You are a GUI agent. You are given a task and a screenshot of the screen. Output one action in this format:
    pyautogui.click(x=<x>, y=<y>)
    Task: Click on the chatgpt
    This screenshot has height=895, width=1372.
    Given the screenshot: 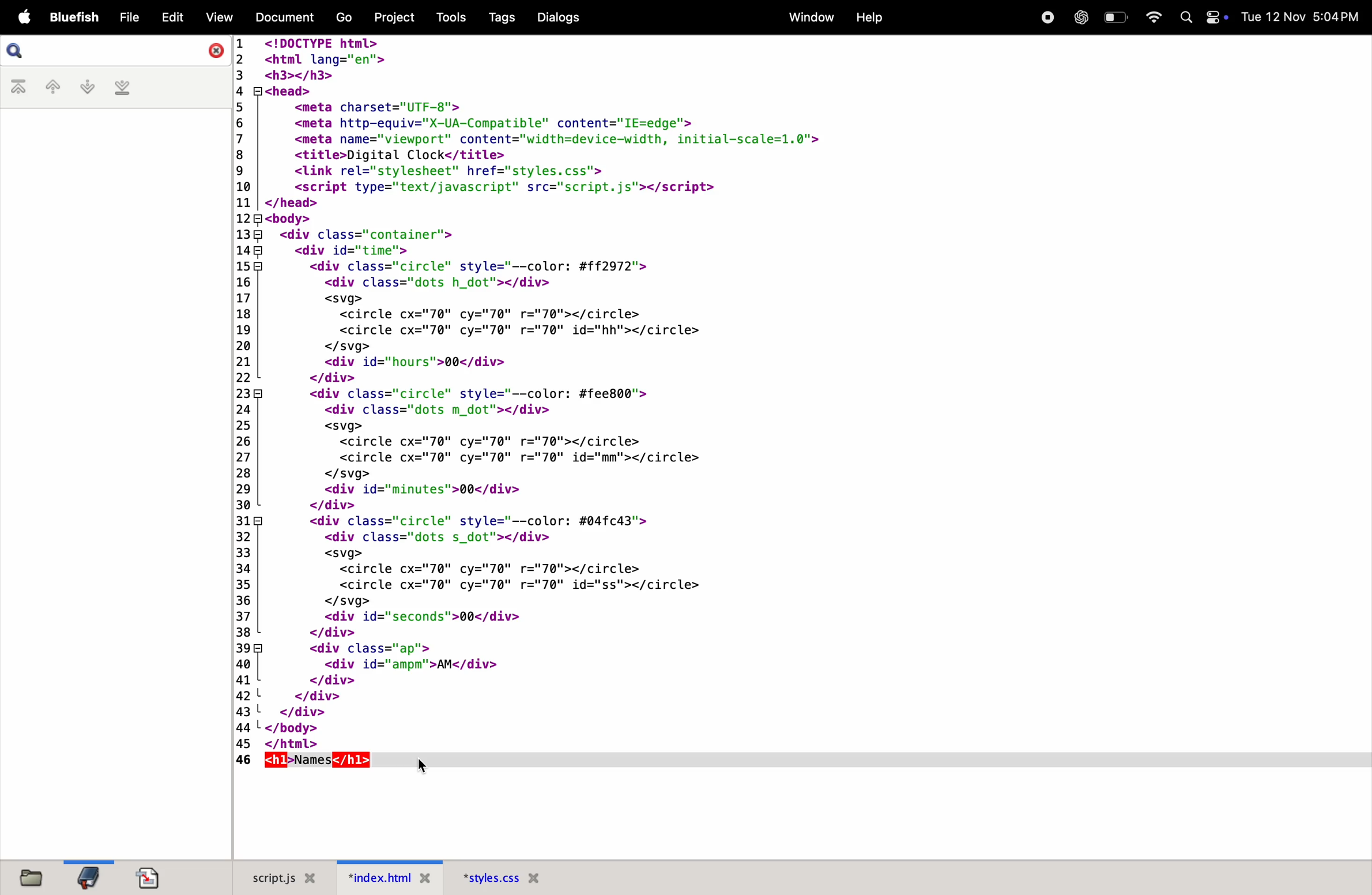 What is the action you would take?
    pyautogui.click(x=1077, y=17)
    